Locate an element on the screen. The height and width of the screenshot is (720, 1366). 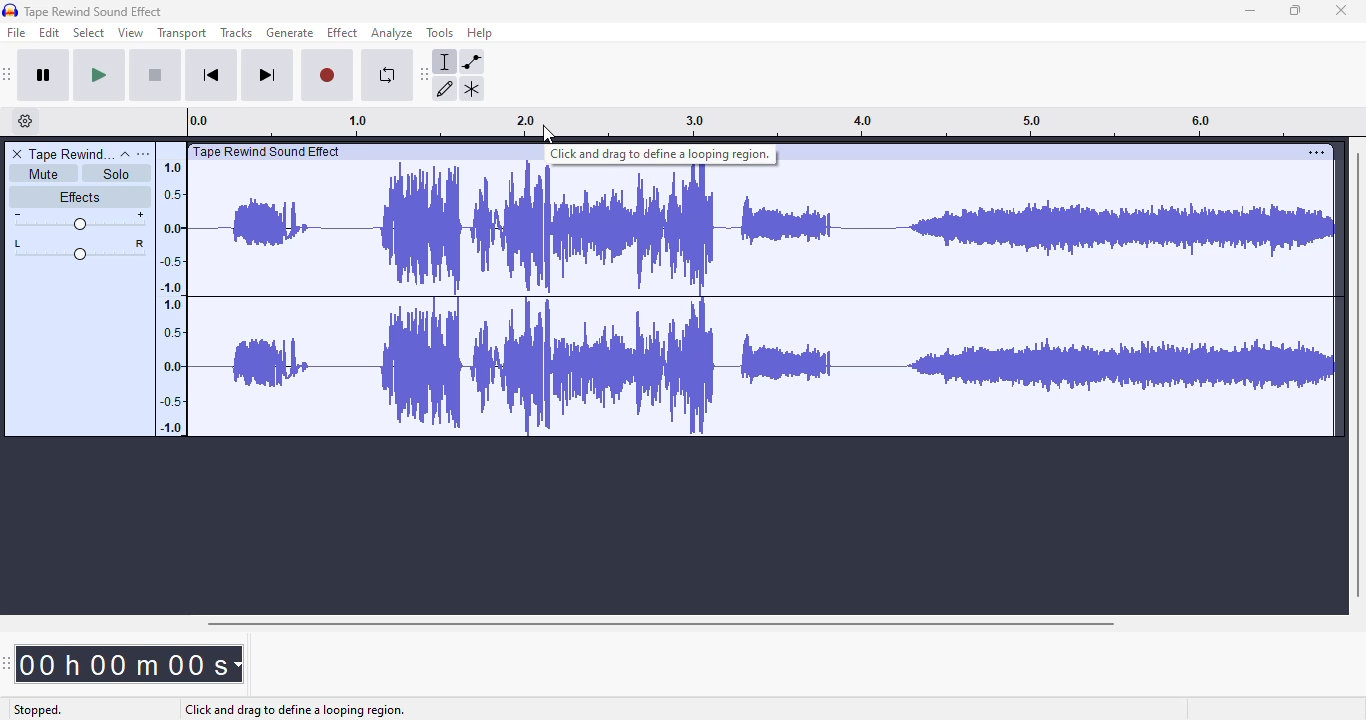
stop is located at coordinates (155, 74).